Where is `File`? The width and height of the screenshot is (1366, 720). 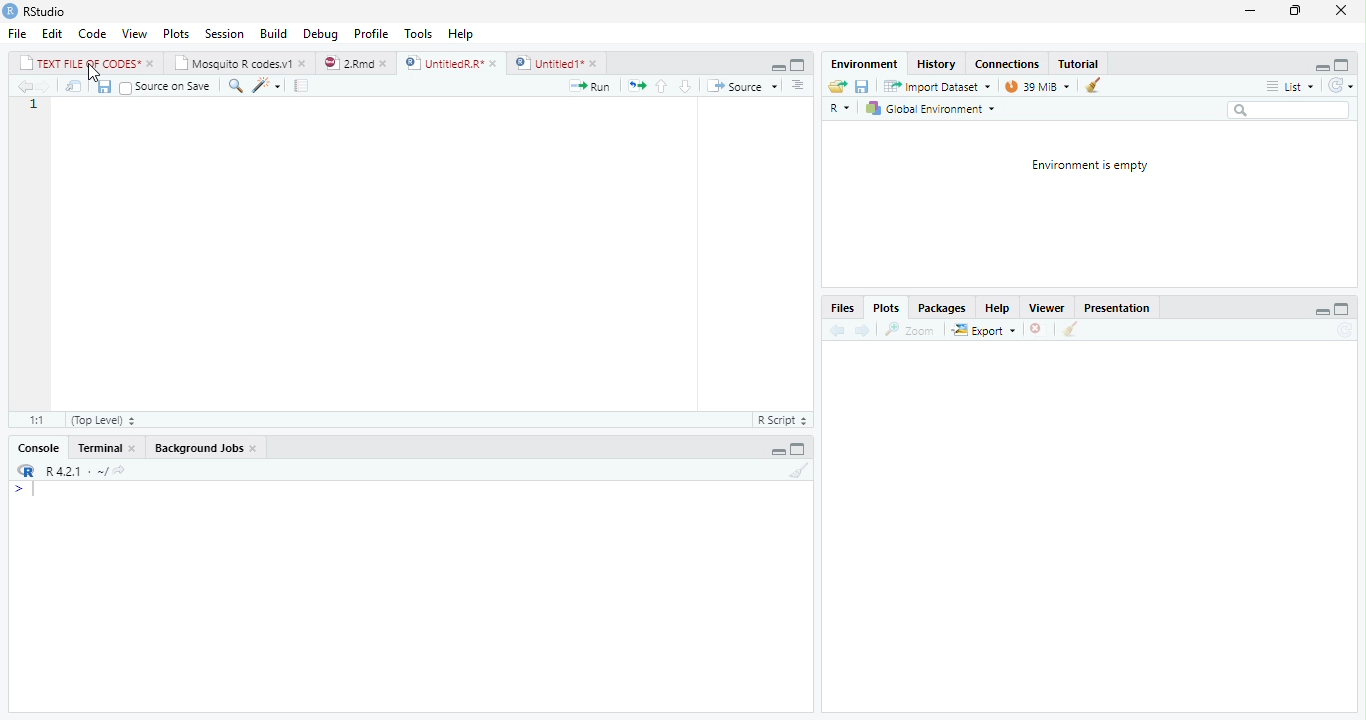 File is located at coordinates (16, 33).